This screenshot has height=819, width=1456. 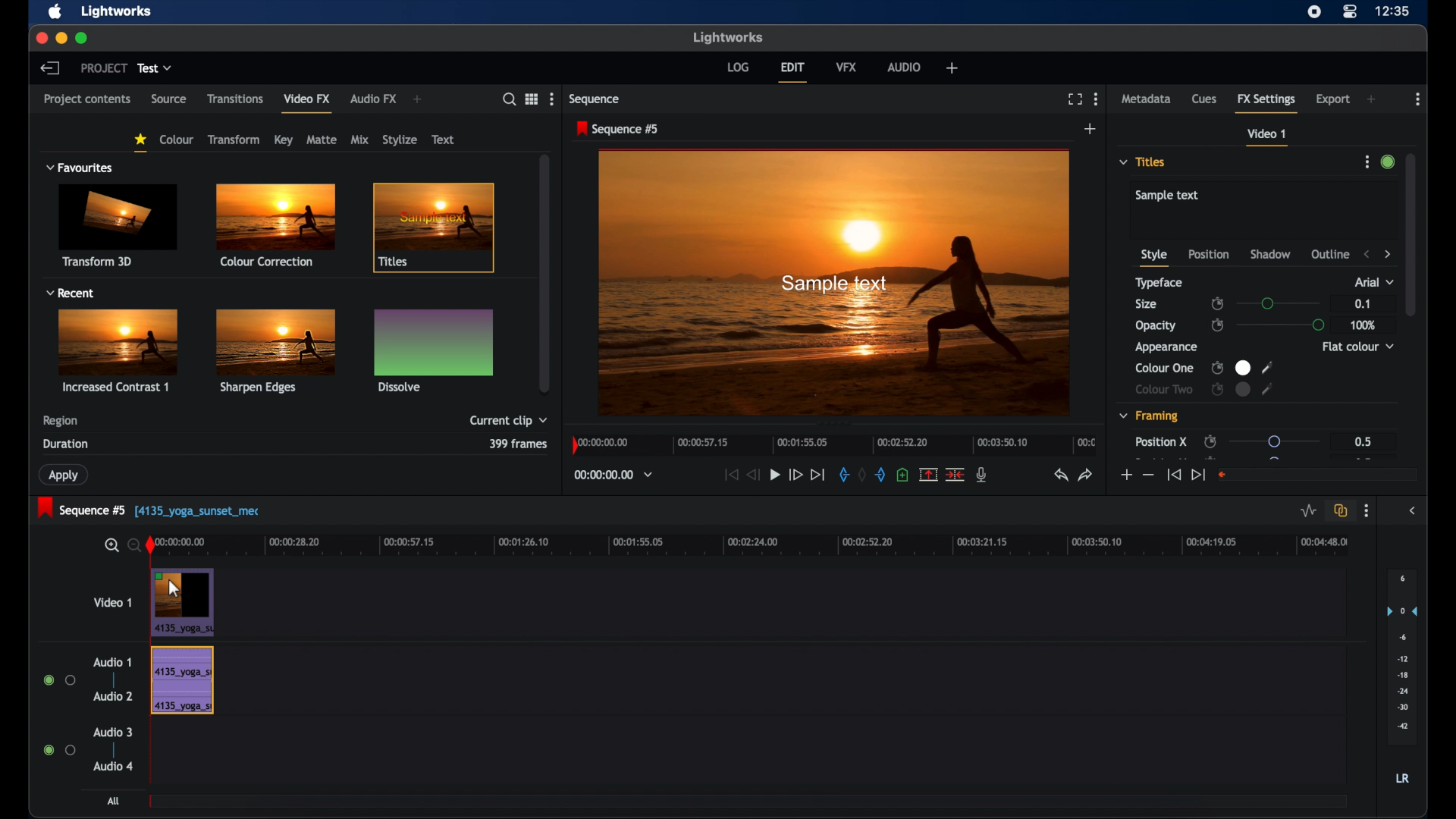 What do you see at coordinates (81, 508) in the screenshot?
I see `sequence 5` at bounding box center [81, 508].